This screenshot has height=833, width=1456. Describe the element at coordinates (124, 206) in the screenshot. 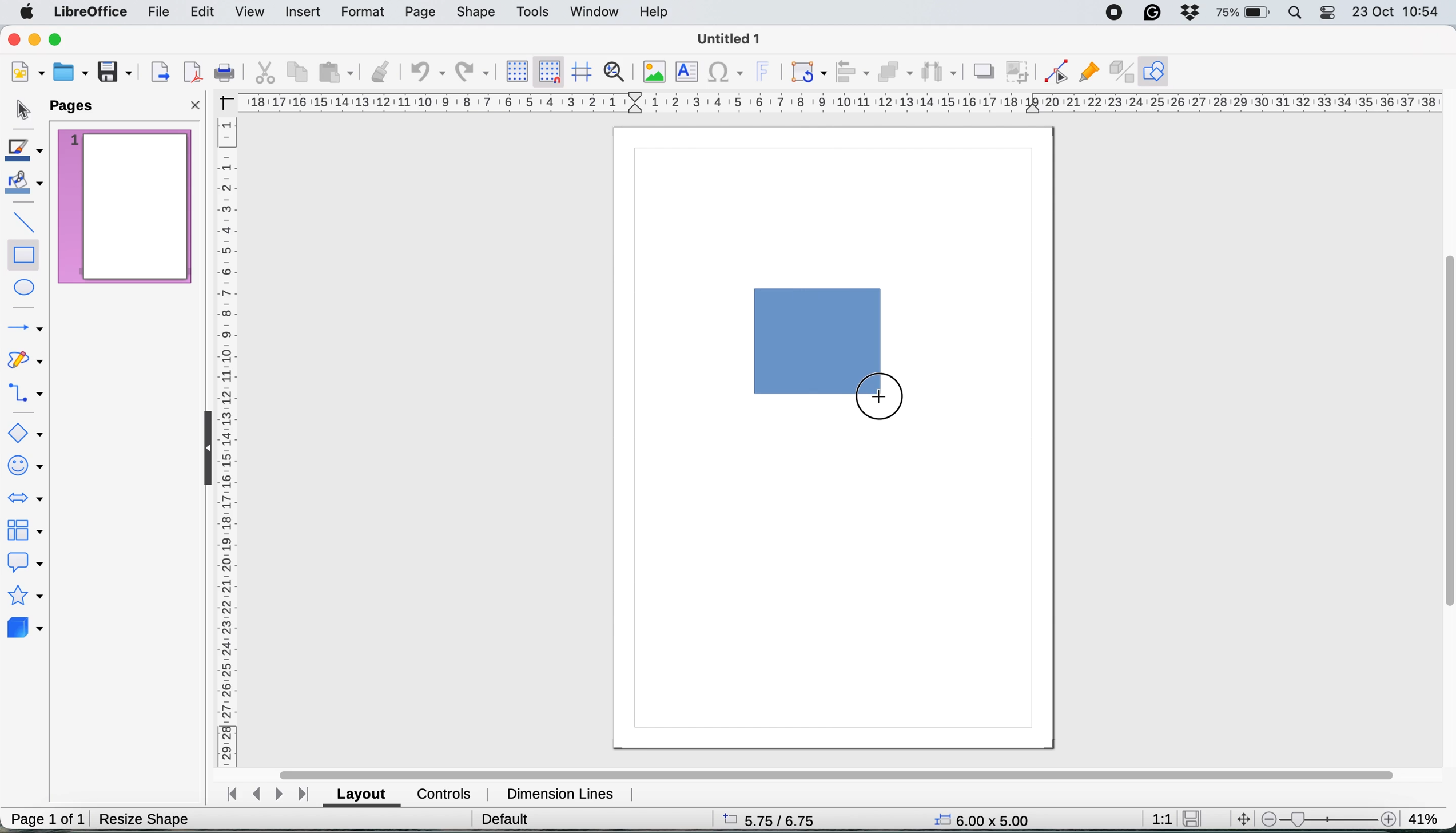

I see `current page` at that location.